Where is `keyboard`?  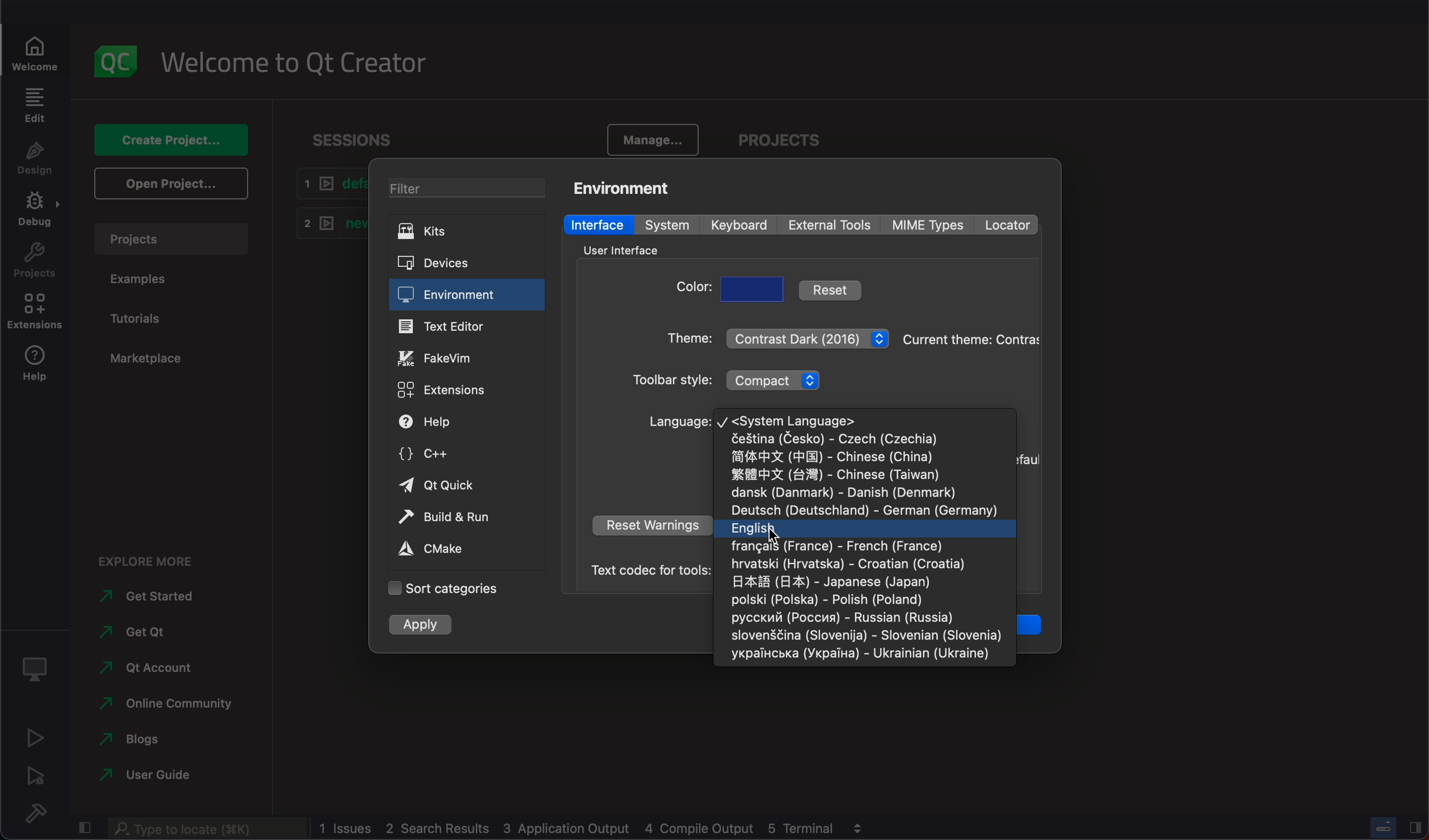
keyboard is located at coordinates (742, 226).